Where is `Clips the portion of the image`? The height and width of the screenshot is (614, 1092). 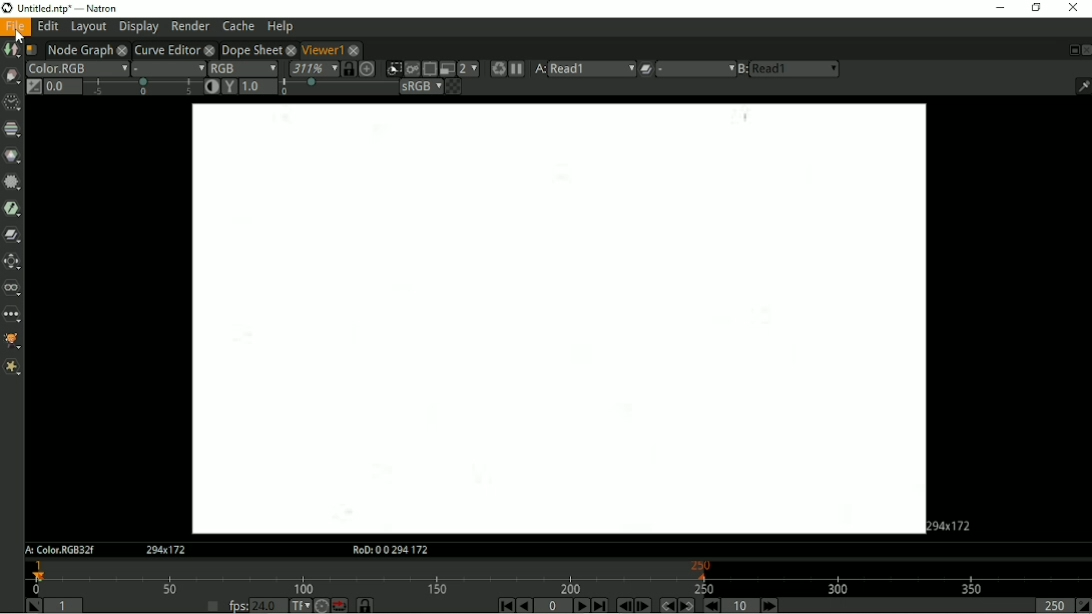
Clips the portion of the image is located at coordinates (393, 69).